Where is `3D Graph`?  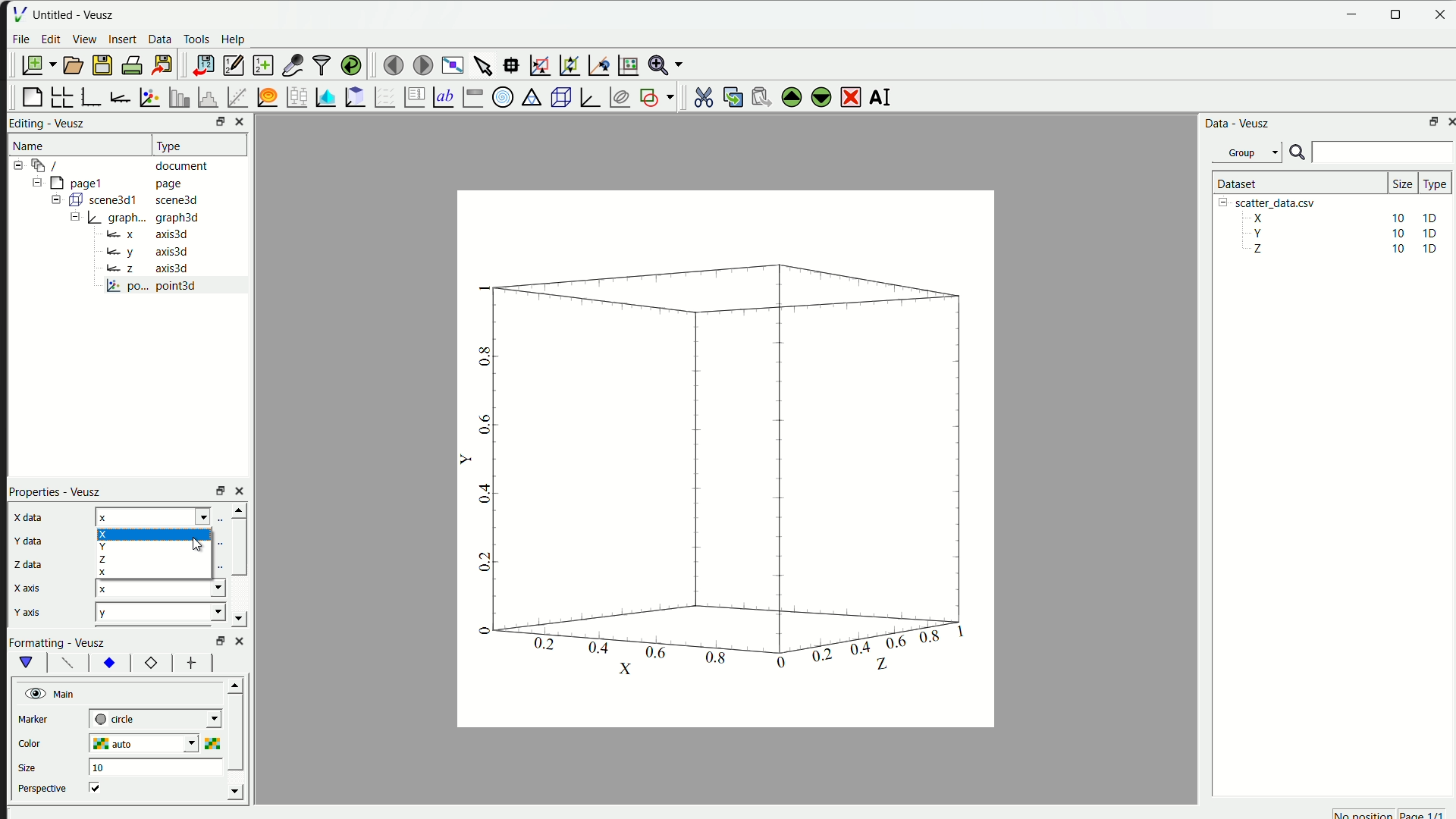
3D Graph is located at coordinates (587, 96).